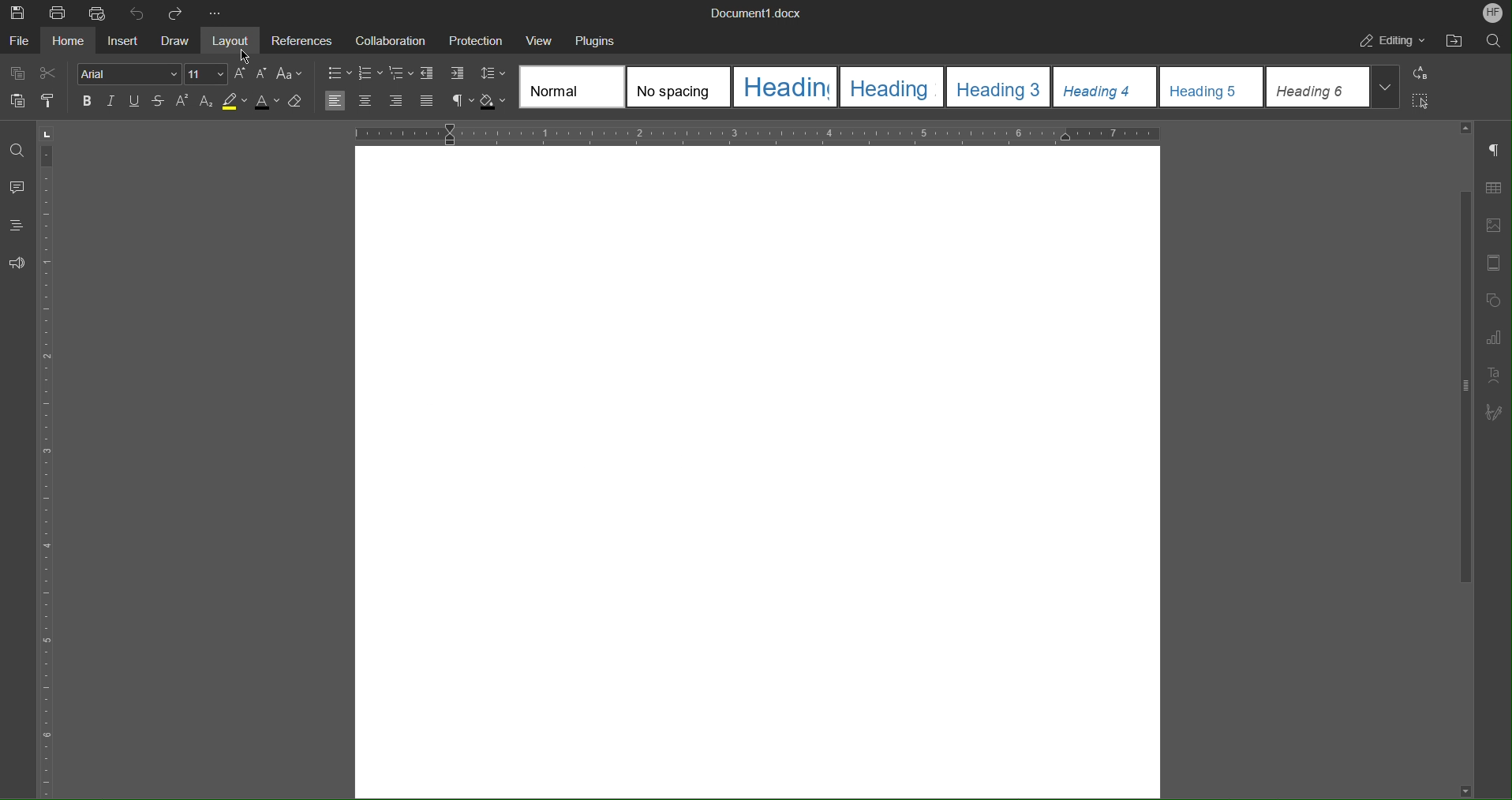 This screenshot has height=800, width=1512. Describe the element at coordinates (174, 13) in the screenshot. I see `Redo` at that location.